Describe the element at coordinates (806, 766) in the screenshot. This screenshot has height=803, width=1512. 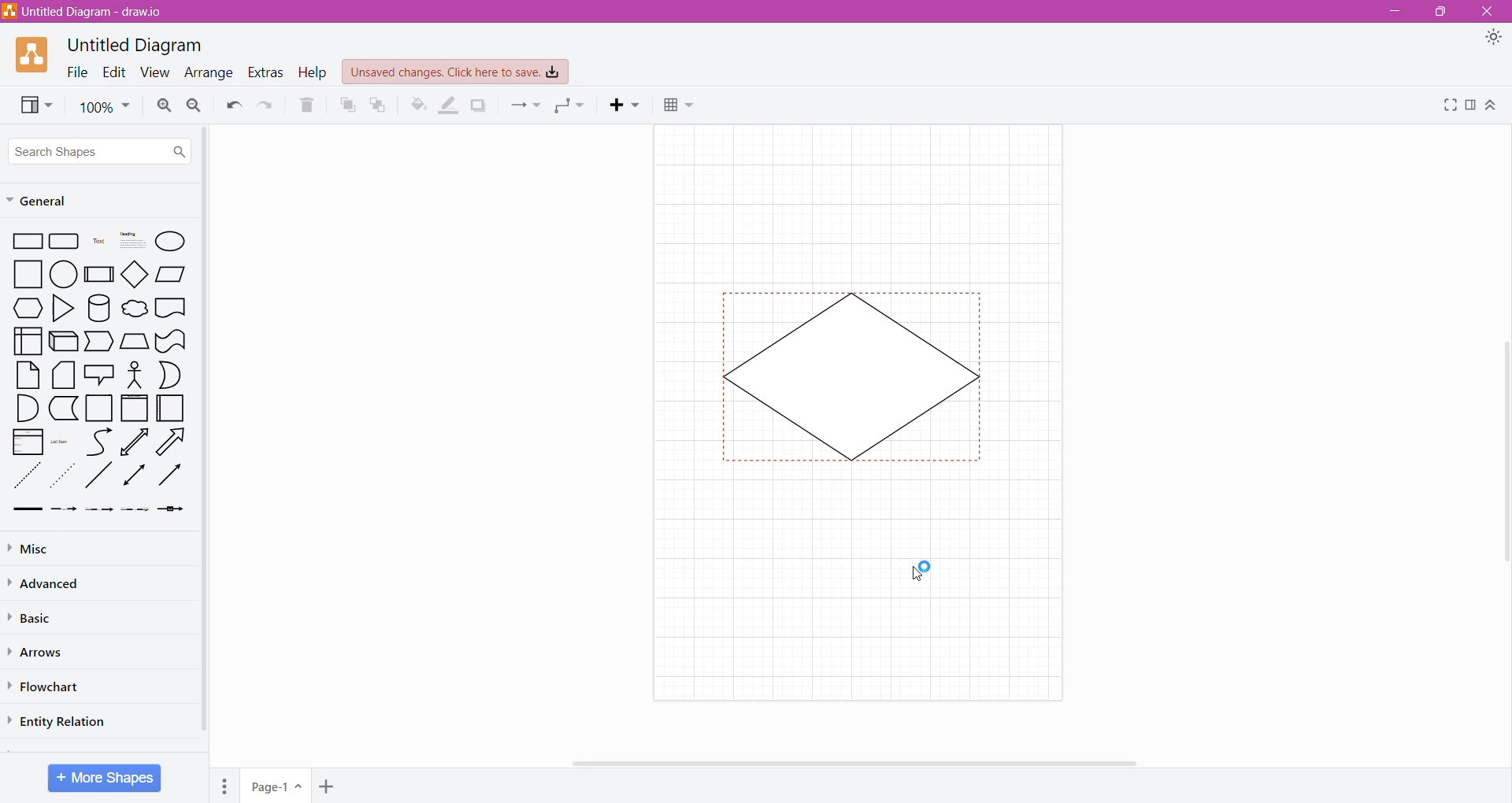
I see `Horizontal Scroll Bar` at that location.